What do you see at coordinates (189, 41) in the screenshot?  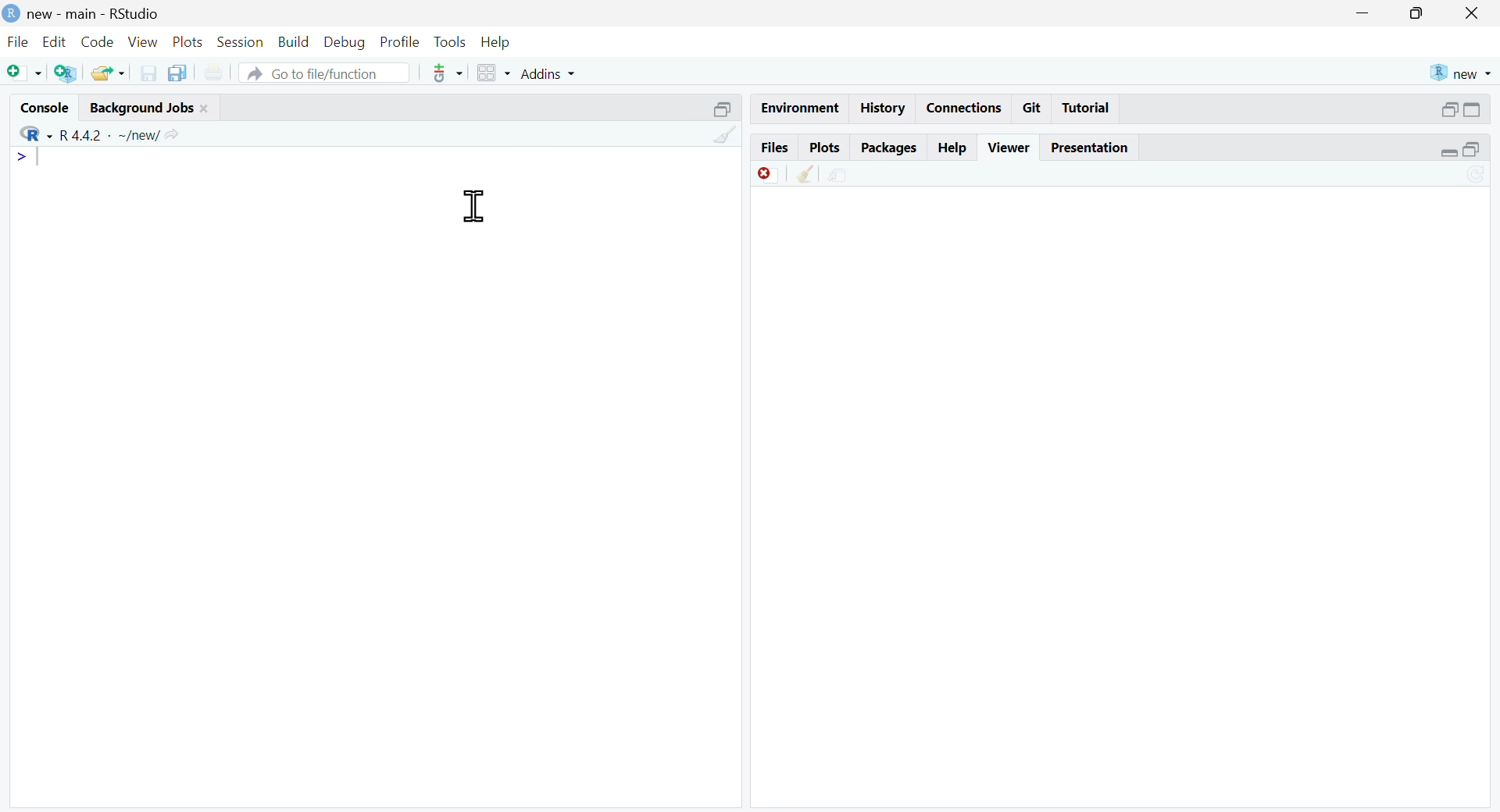 I see `plots` at bounding box center [189, 41].